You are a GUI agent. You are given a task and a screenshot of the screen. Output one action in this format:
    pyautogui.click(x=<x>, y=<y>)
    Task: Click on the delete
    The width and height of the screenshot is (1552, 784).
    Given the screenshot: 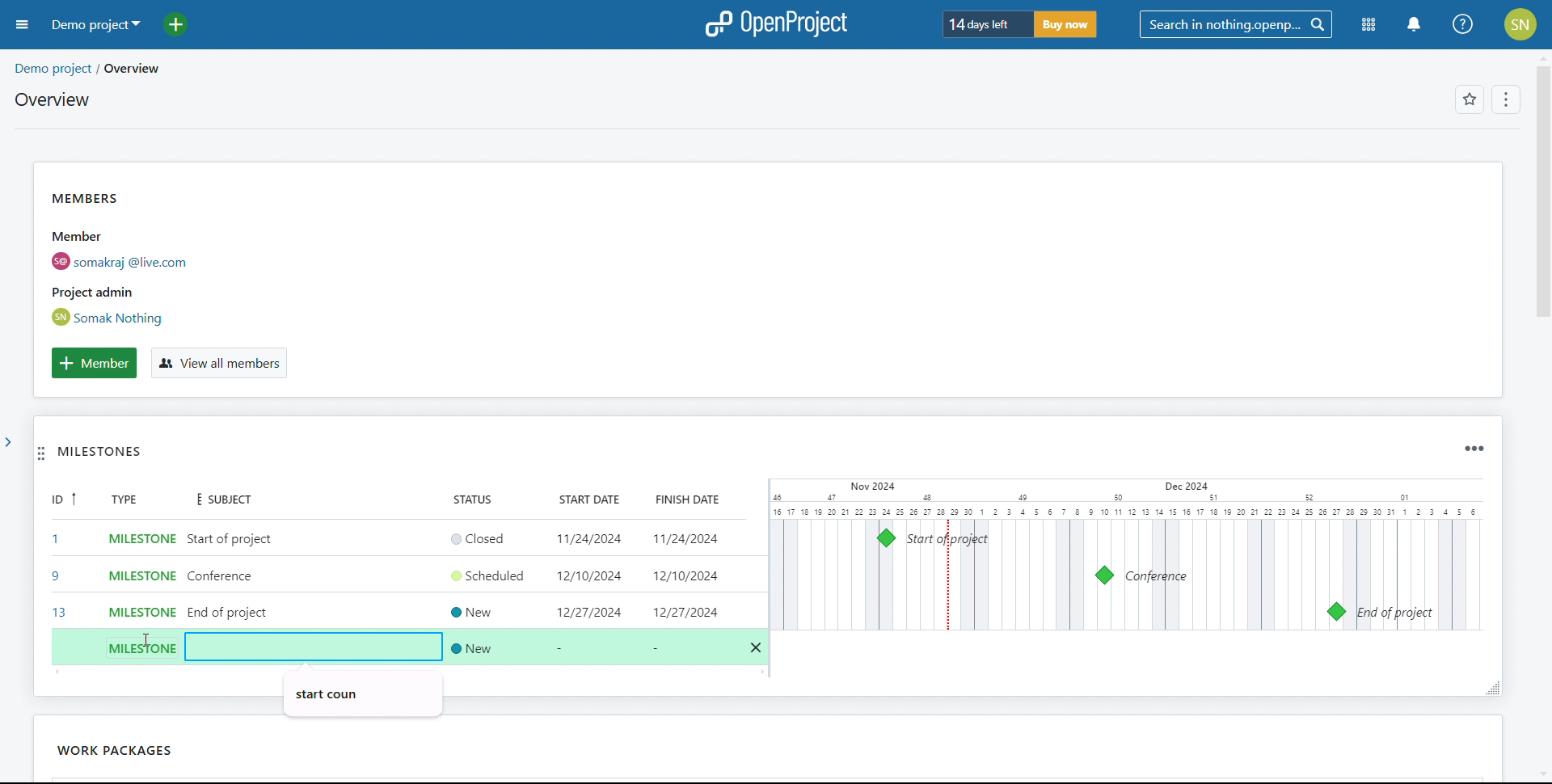 What is the action you would take?
    pyautogui.click(x=757, y=648)
    